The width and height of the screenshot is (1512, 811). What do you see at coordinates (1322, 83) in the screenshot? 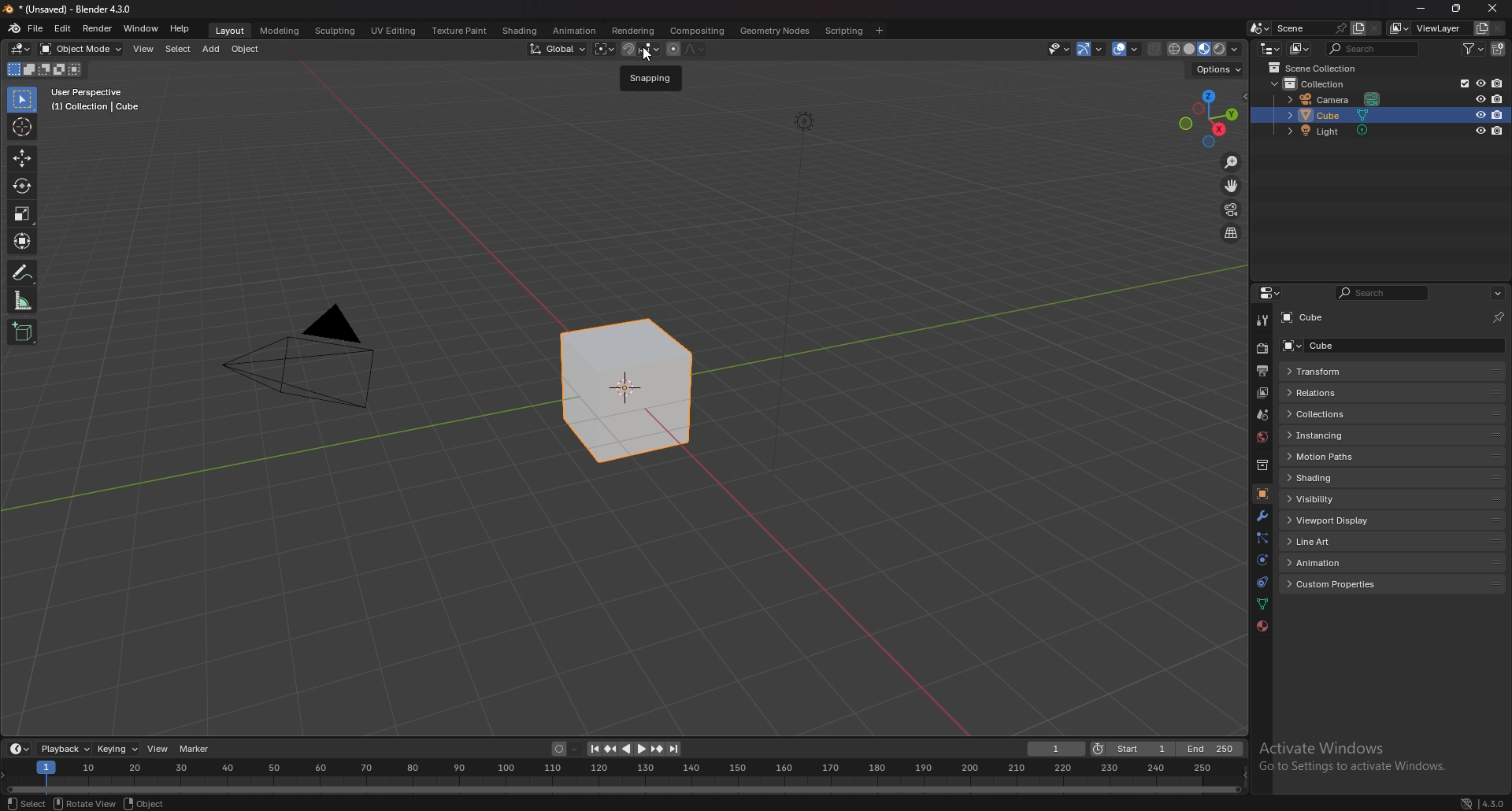
I see `collection` at bounding box center [1322, 83].